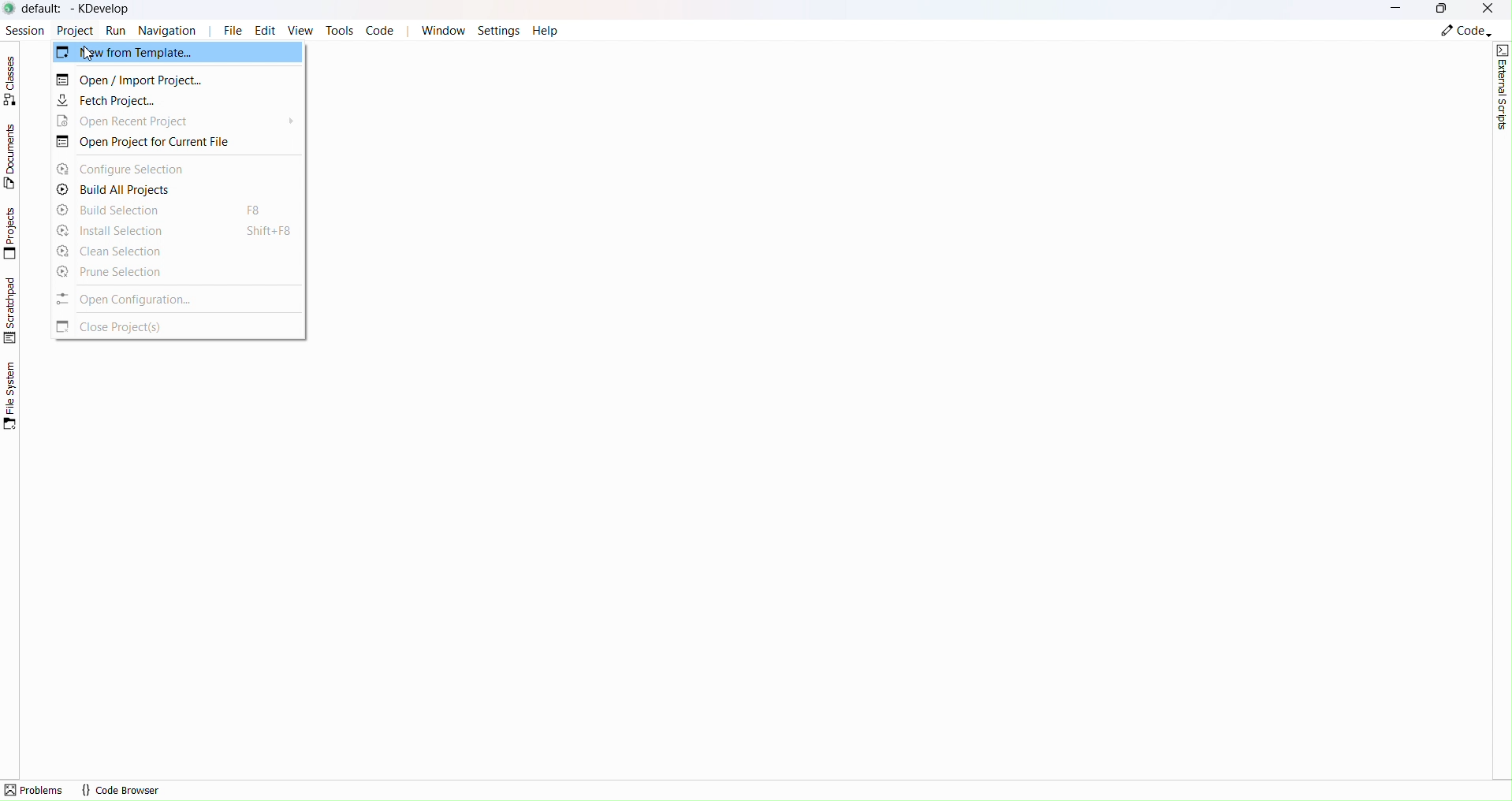  Describe the element at coordinates (161, 271) in the screenshot. I see `Pune Selection` at that location.